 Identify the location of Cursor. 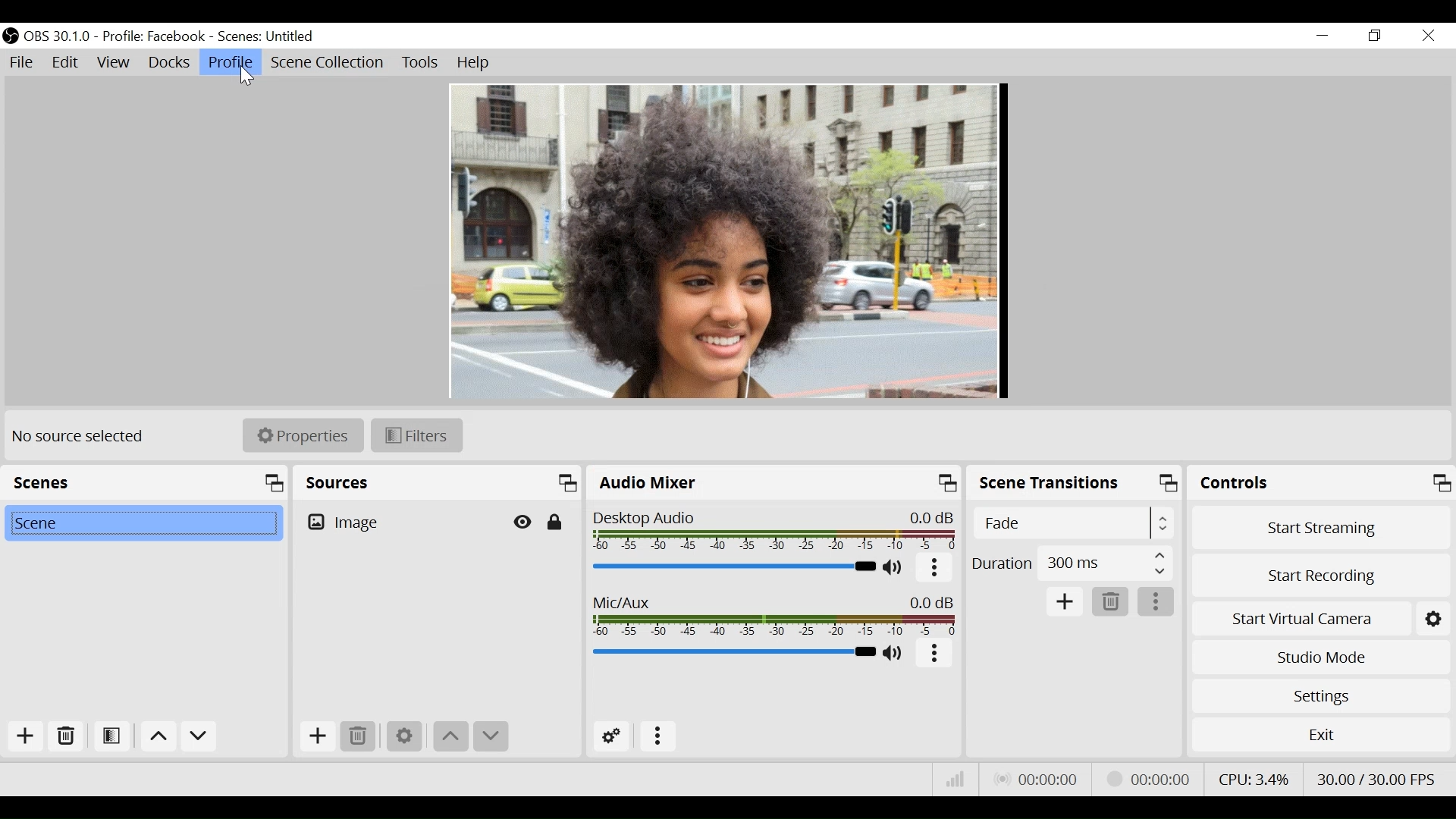
(248, 76).